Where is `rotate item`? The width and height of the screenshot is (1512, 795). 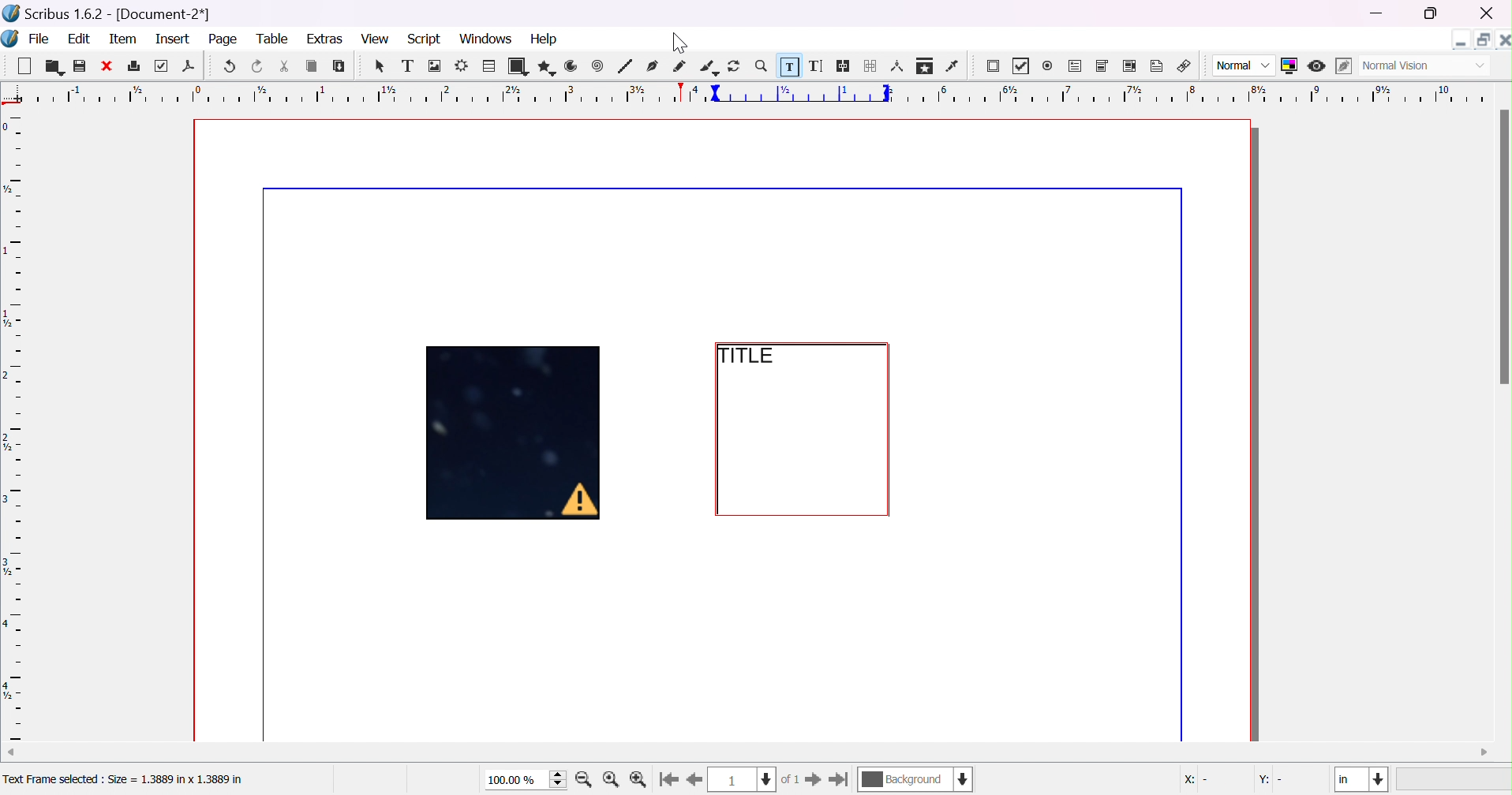 rotate item is located at coordinates (735, 65).